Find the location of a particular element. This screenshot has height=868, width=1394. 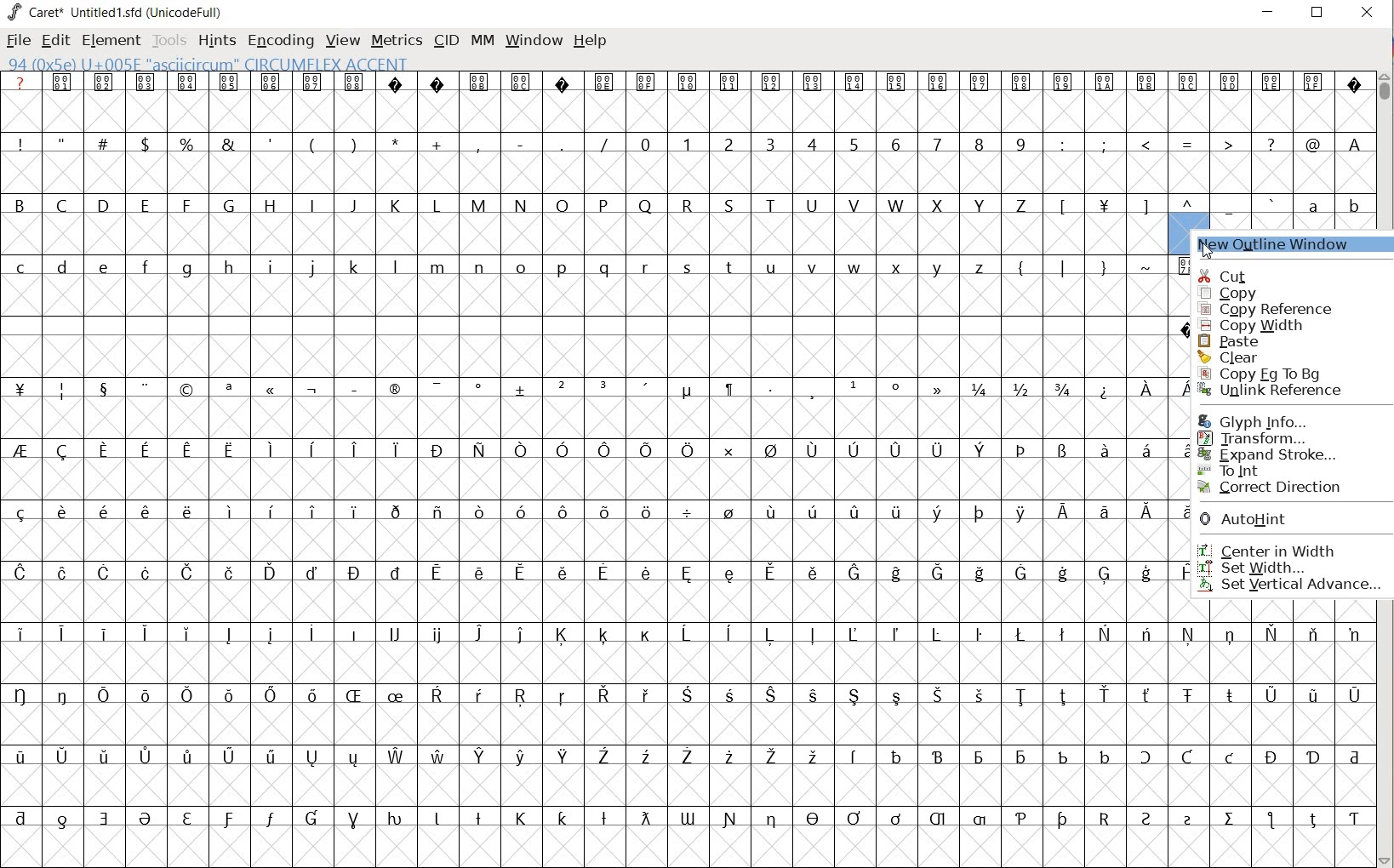

WINDOW is located at coordinates (532, 39).